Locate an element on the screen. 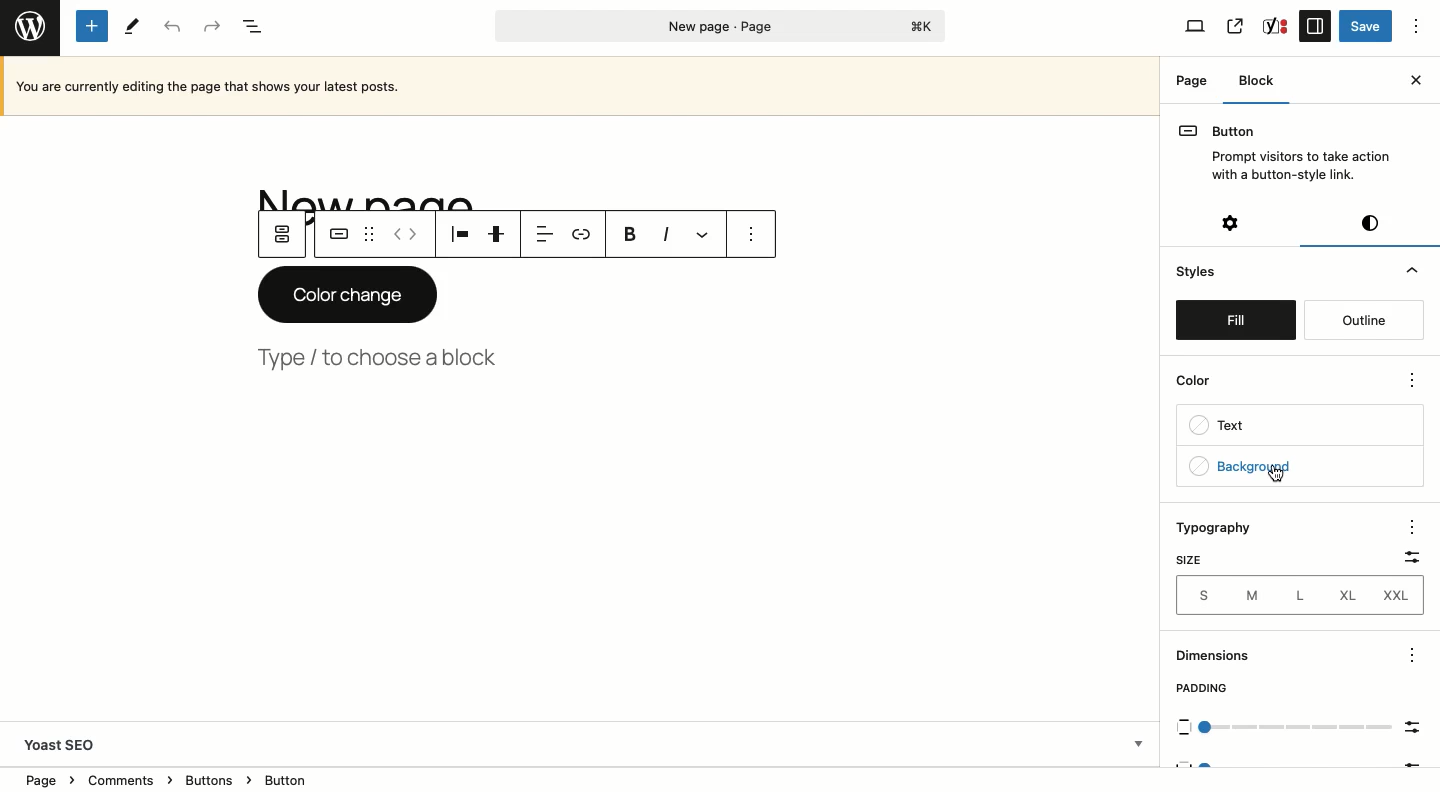 The image size is (1440, 792). Button is located at coordinates (1284, 148).